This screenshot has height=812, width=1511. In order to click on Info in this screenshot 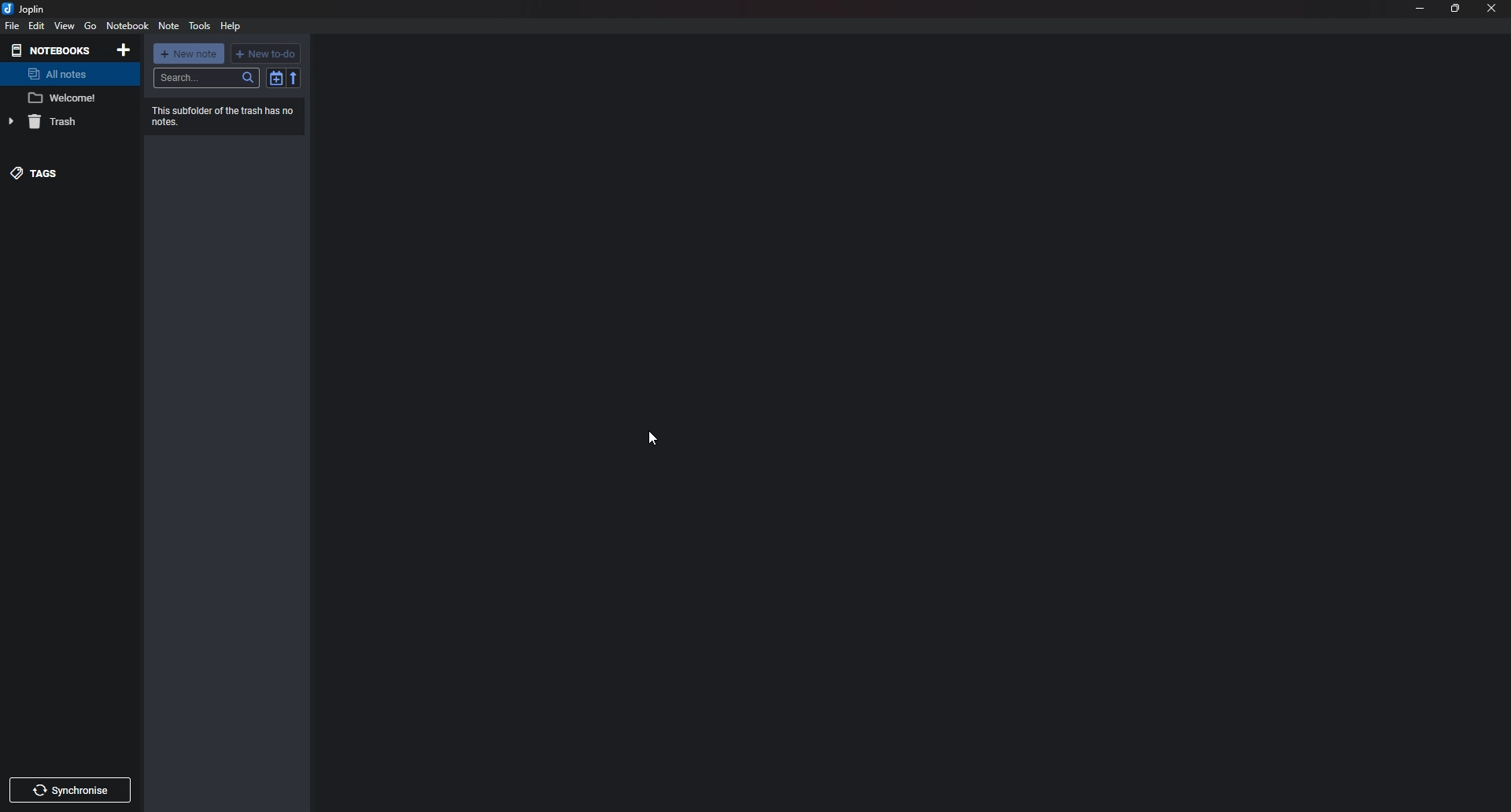, I will do `click(227, 115)`.